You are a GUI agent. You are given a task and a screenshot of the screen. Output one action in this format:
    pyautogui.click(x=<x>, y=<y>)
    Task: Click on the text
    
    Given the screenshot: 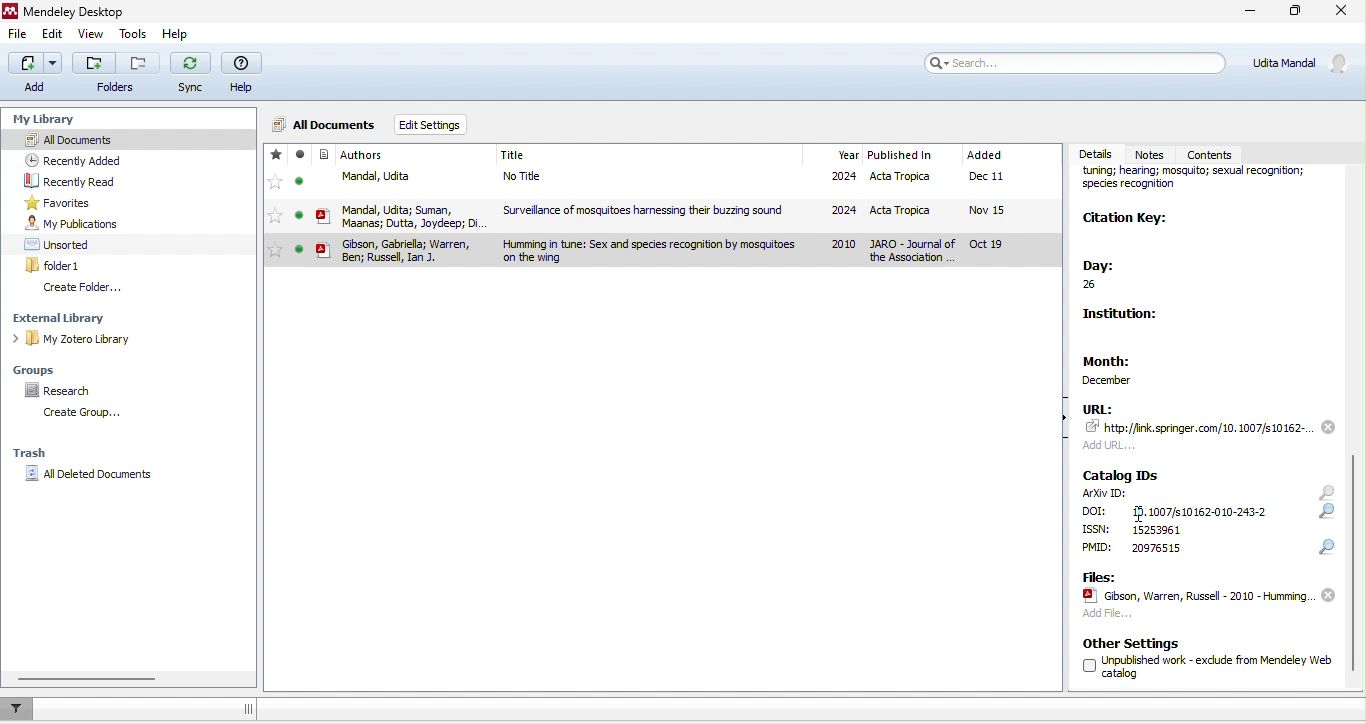 What is the action you would take?
    pyautogui.click(x=1097, y=529)
    